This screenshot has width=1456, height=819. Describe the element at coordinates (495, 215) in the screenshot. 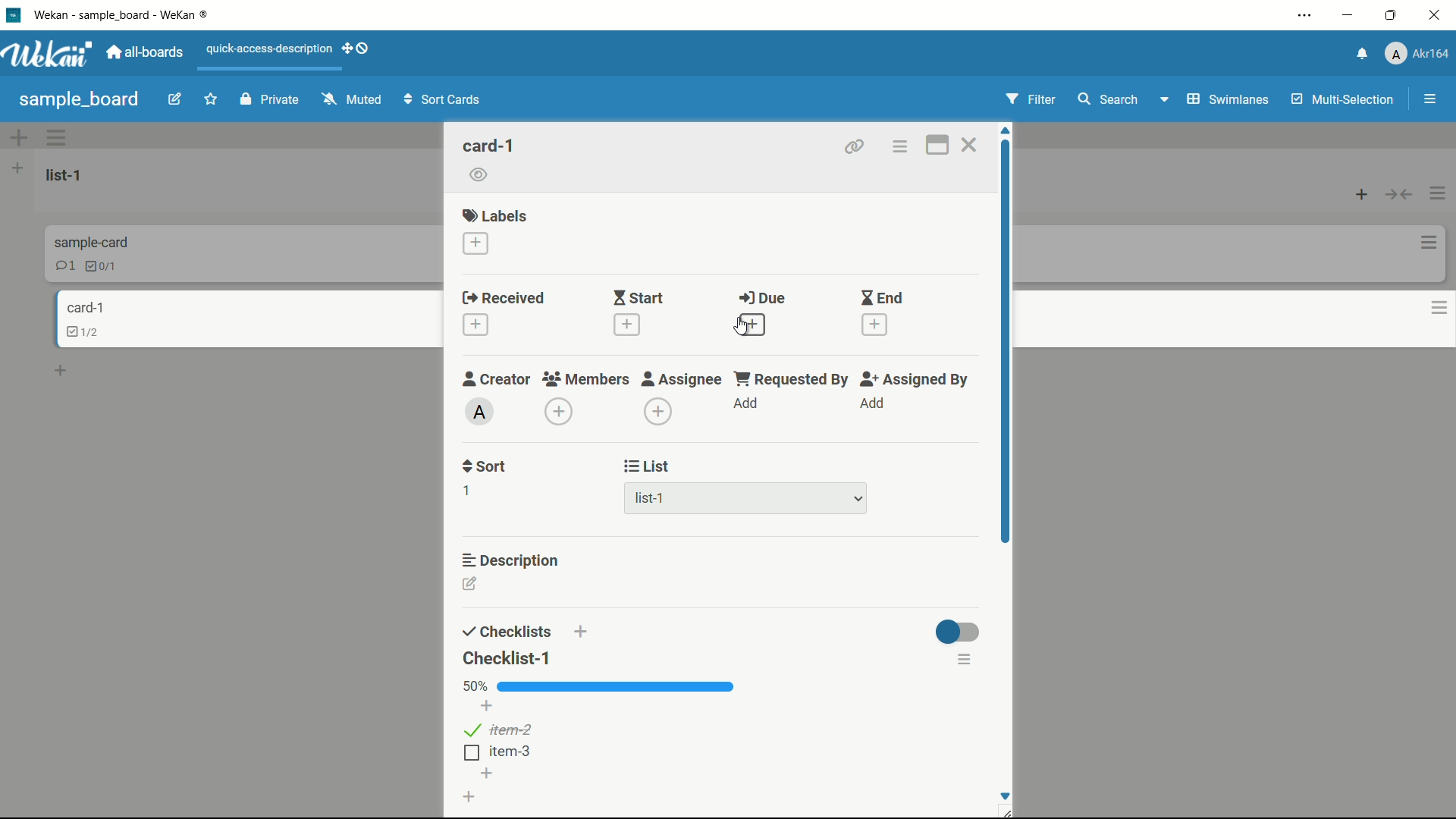

I see `labels` at that location.